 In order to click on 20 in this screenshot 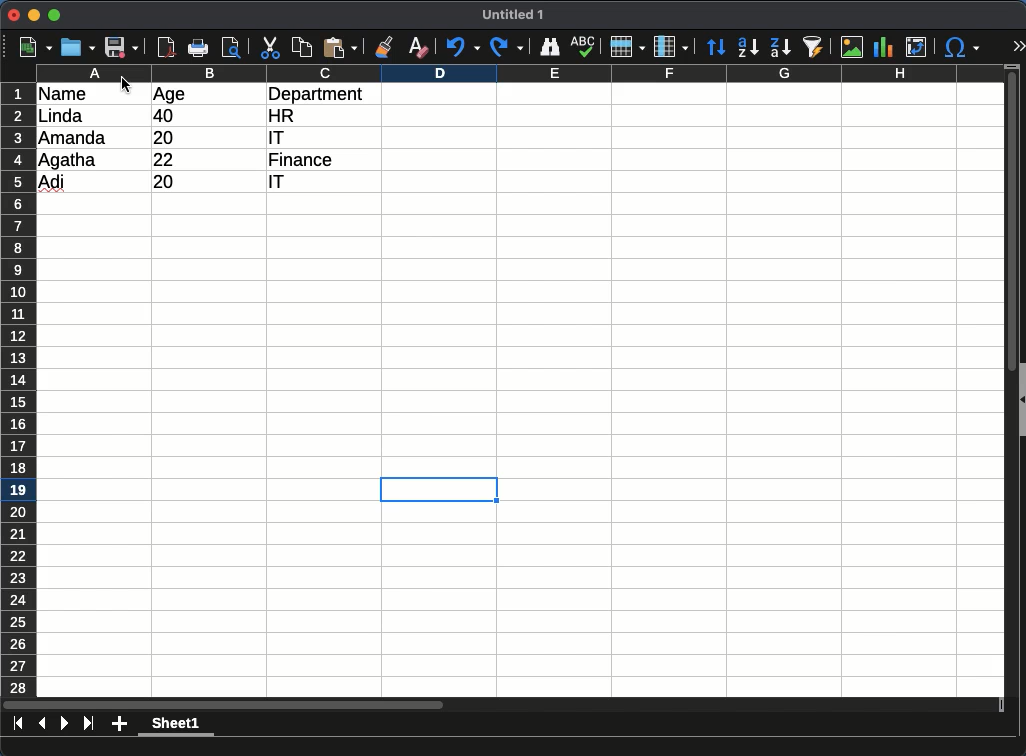, I will do `click(177, 182)`.